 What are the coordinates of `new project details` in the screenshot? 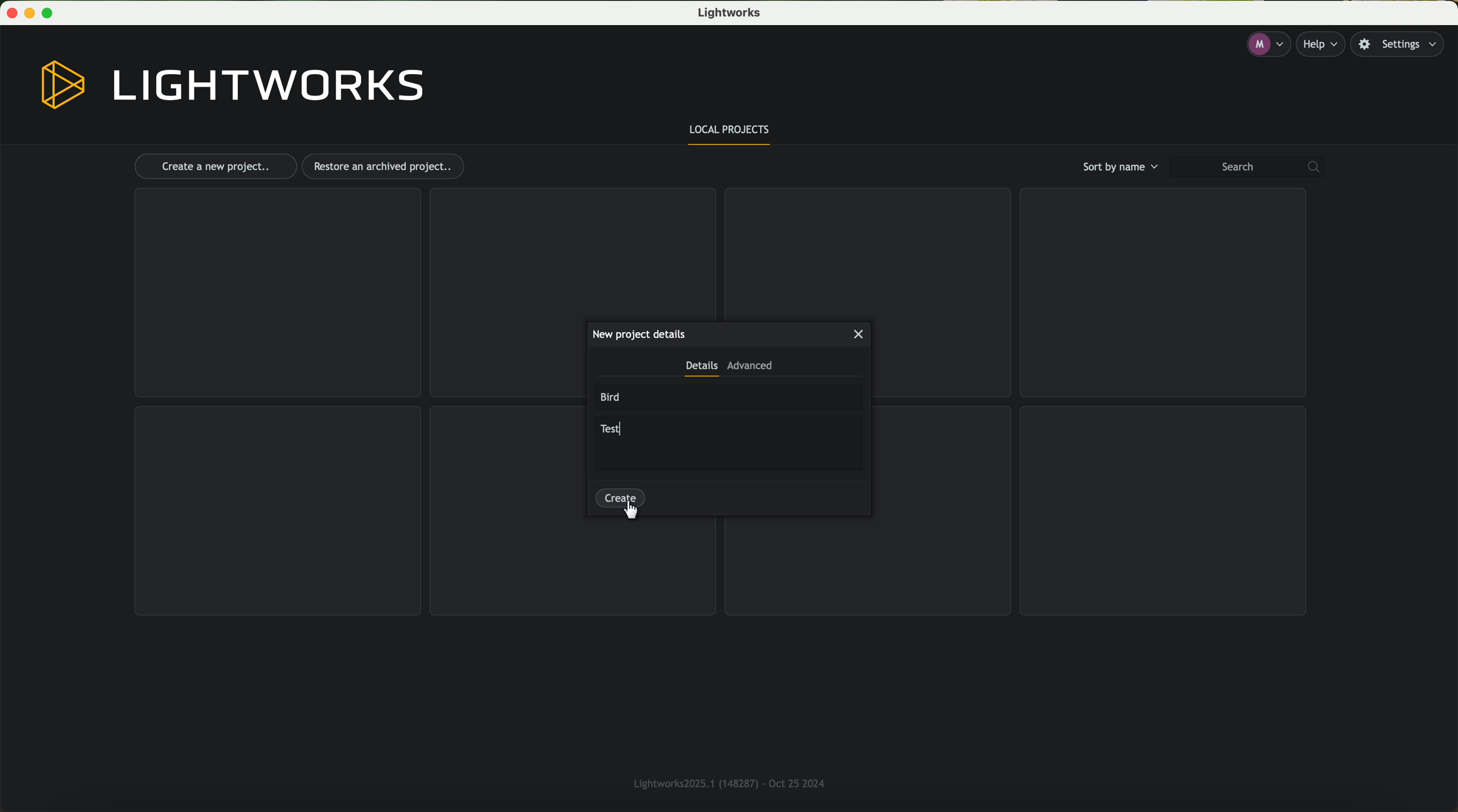 It's located at (638, 334).